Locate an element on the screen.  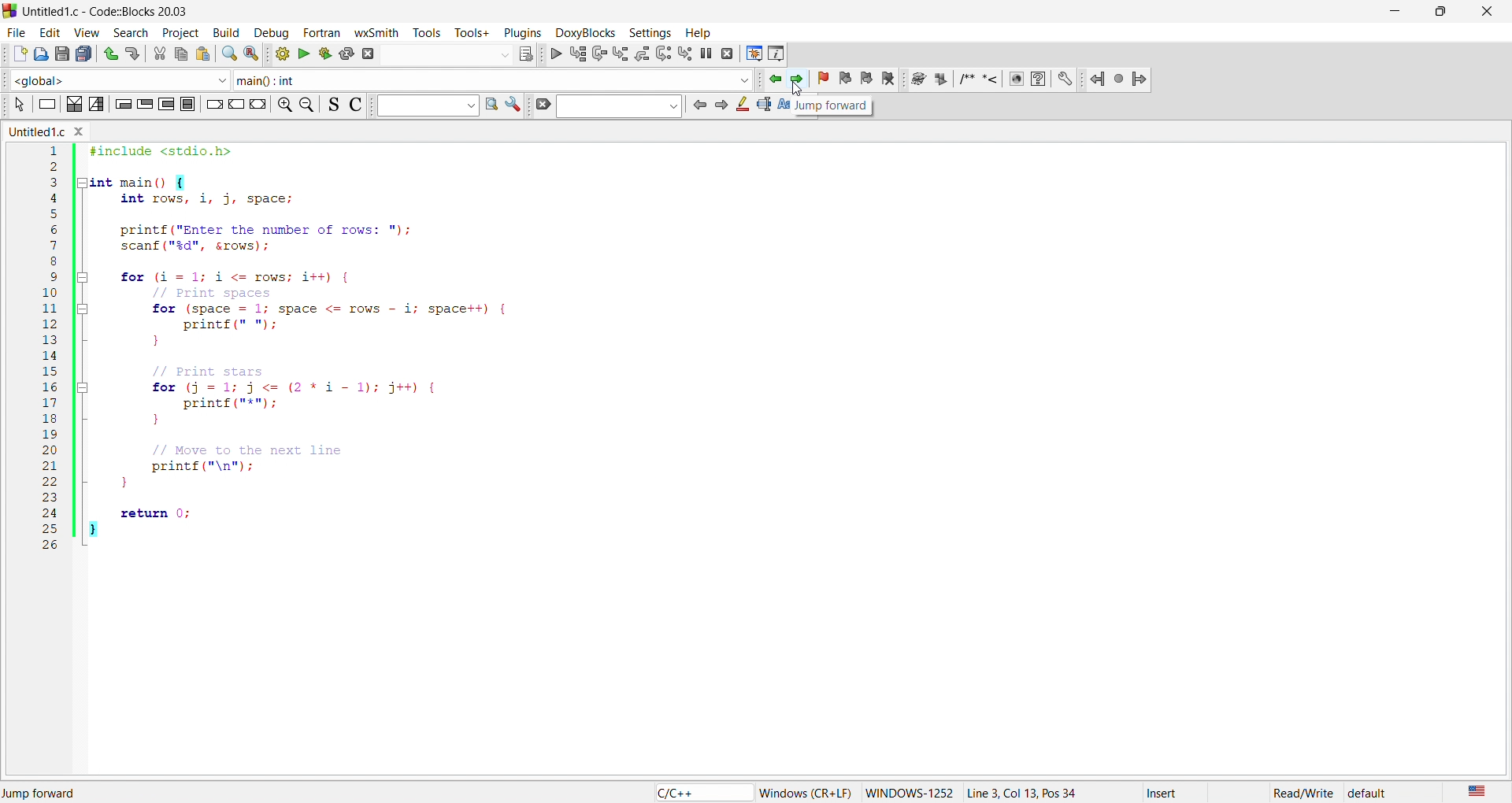
build and run is located at coordinates (323, 54).